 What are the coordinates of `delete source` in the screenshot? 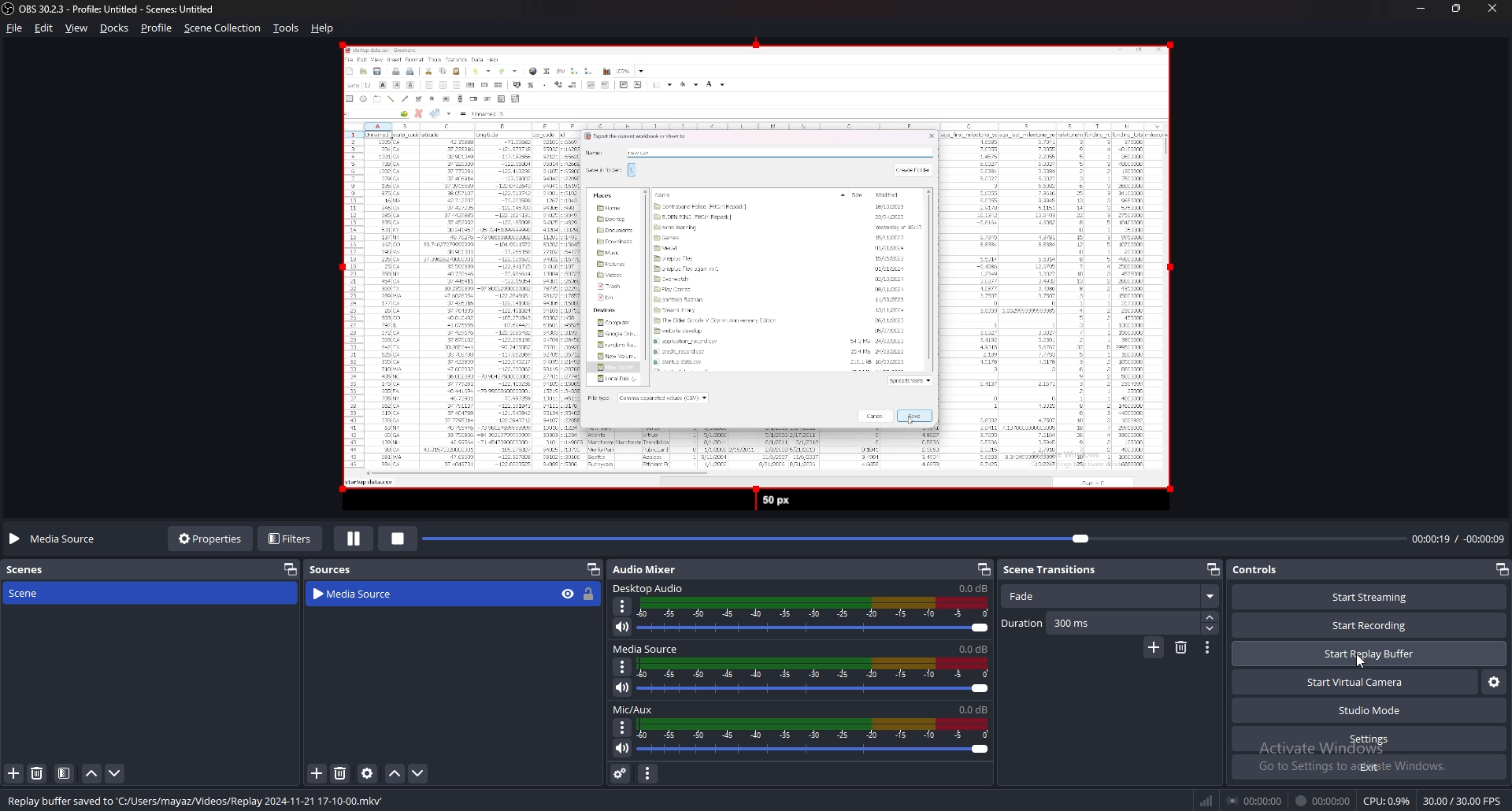 It's located at (341, 772).